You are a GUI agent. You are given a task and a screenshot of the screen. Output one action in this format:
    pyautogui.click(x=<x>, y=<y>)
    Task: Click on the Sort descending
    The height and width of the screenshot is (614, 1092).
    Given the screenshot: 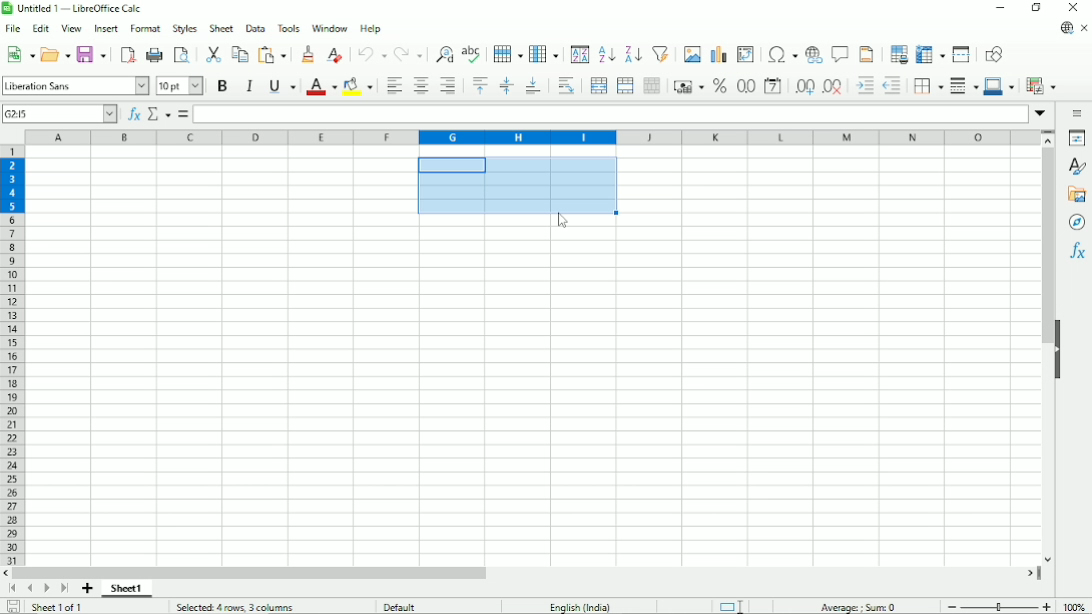 What is the action you would take?
    pyautogui.click(x=631, y=53)
    